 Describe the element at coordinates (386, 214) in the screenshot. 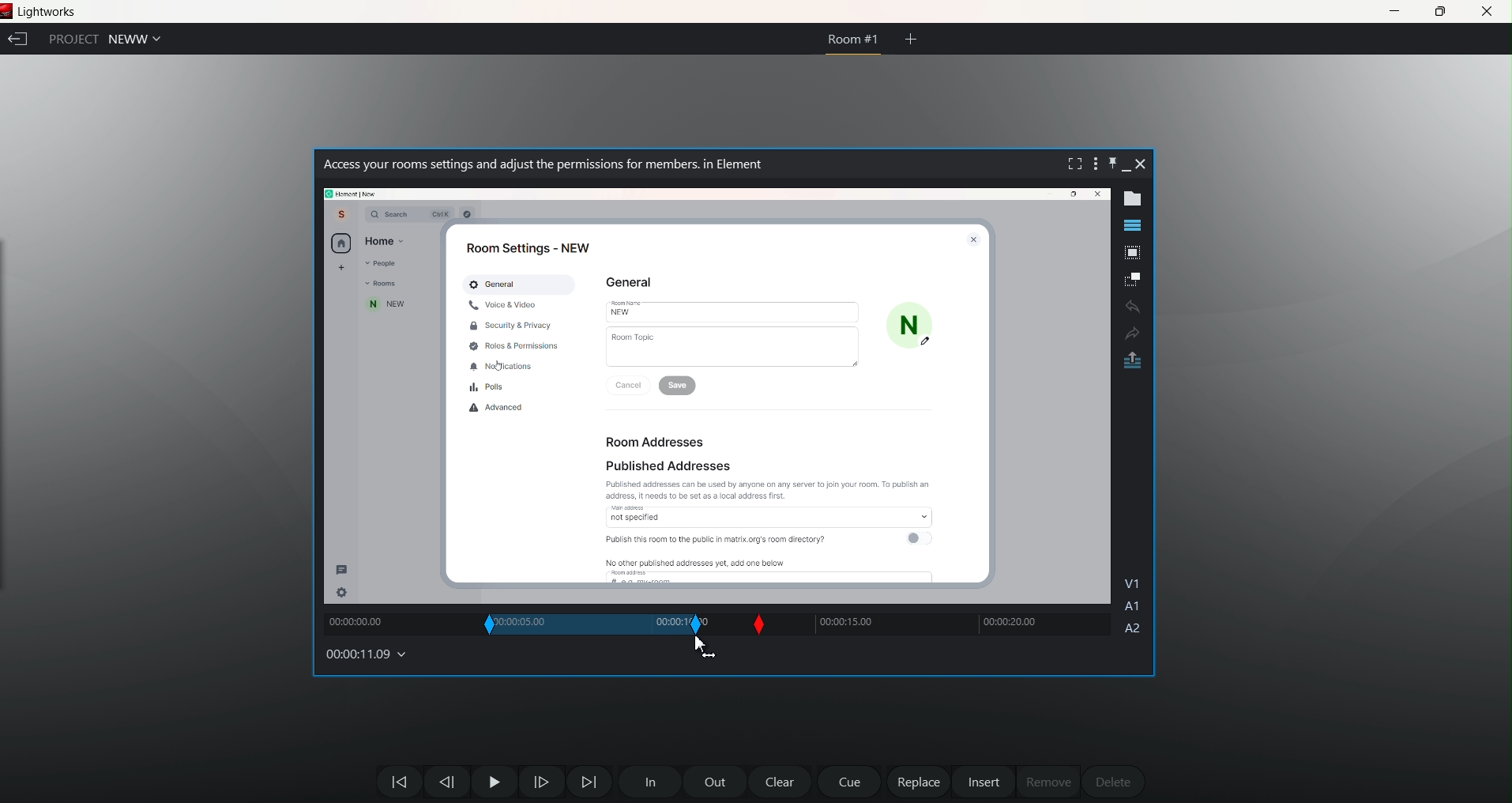

I see `Q Search` at that location.